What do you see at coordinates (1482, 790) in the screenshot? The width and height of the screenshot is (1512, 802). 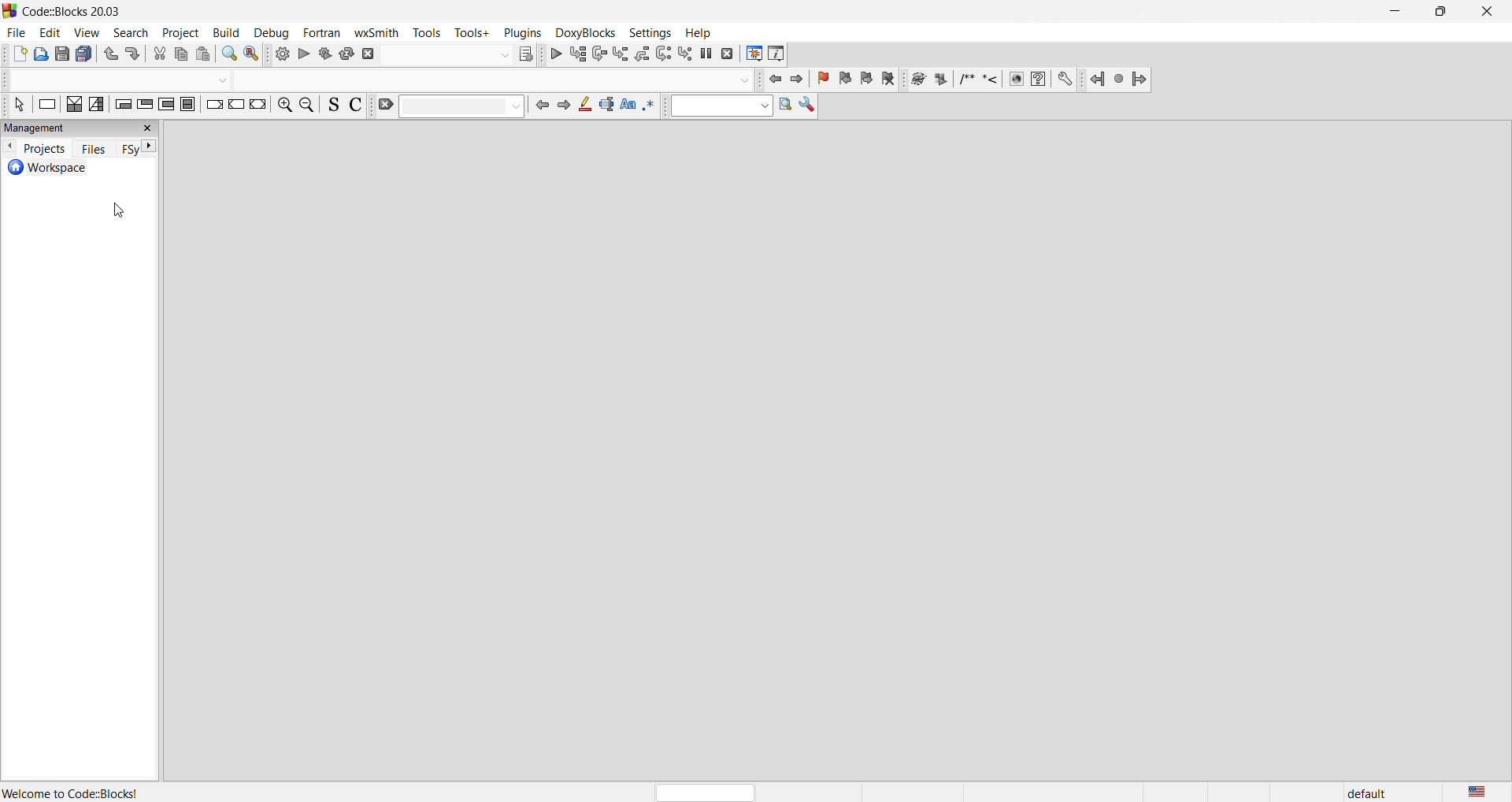 I see `language` at bounding box center [1482, 790].